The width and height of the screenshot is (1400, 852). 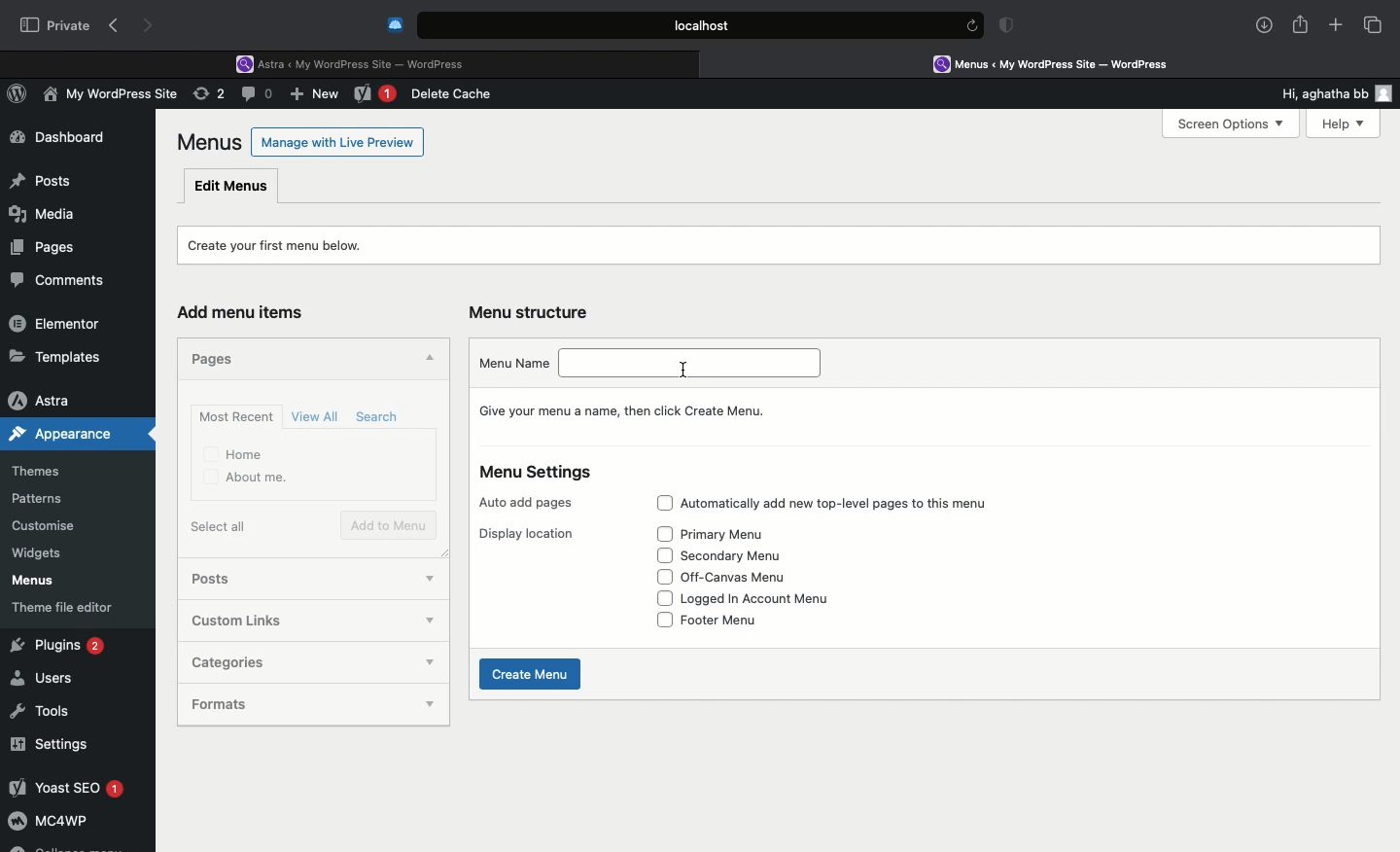 I want to click on Themes, so click(x=50, y=472).